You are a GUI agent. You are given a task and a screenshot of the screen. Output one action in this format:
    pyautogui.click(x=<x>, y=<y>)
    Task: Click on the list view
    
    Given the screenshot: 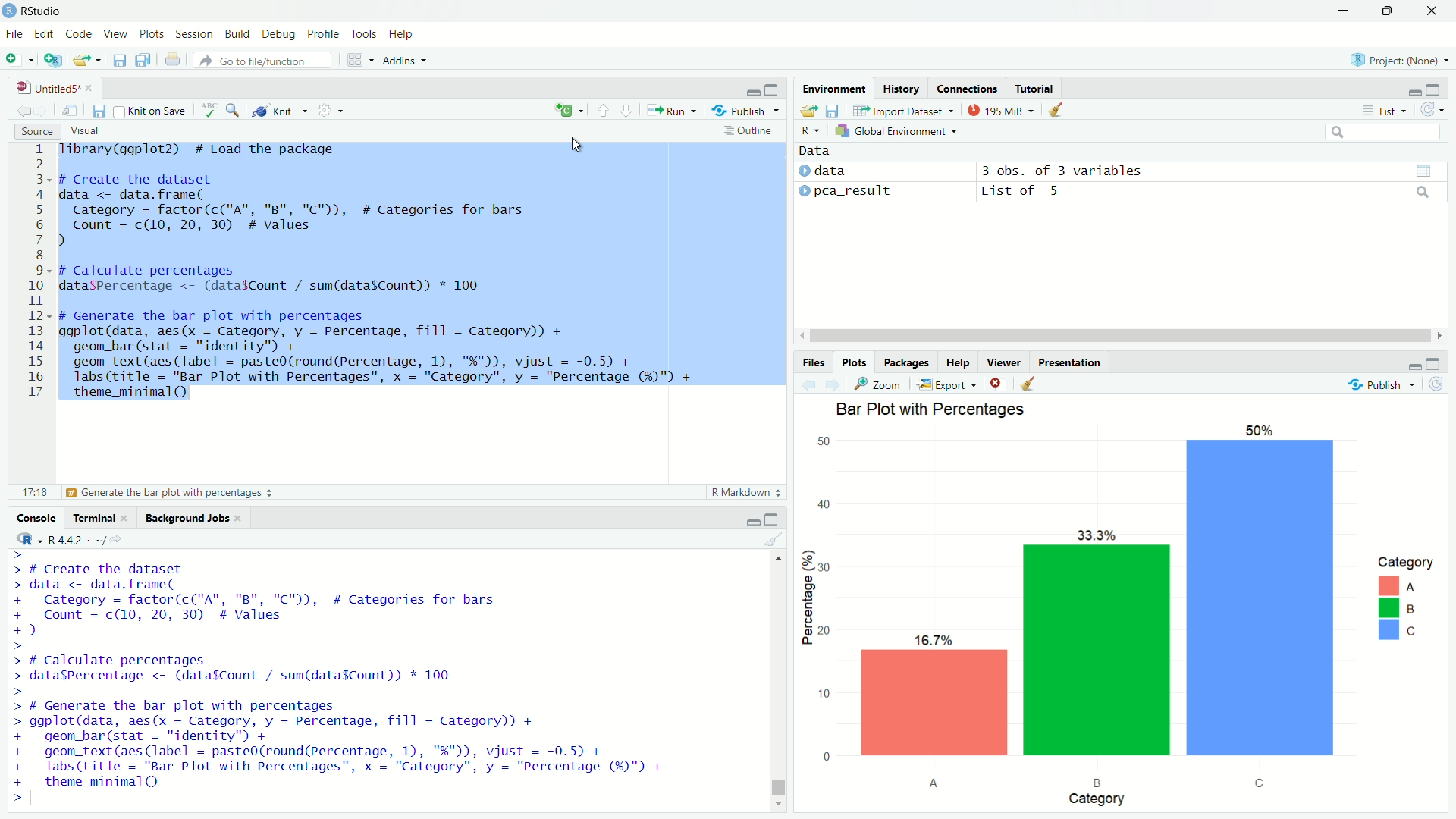 What is the action you would take?
    pyautogui.click(x=1383, y=111)
    